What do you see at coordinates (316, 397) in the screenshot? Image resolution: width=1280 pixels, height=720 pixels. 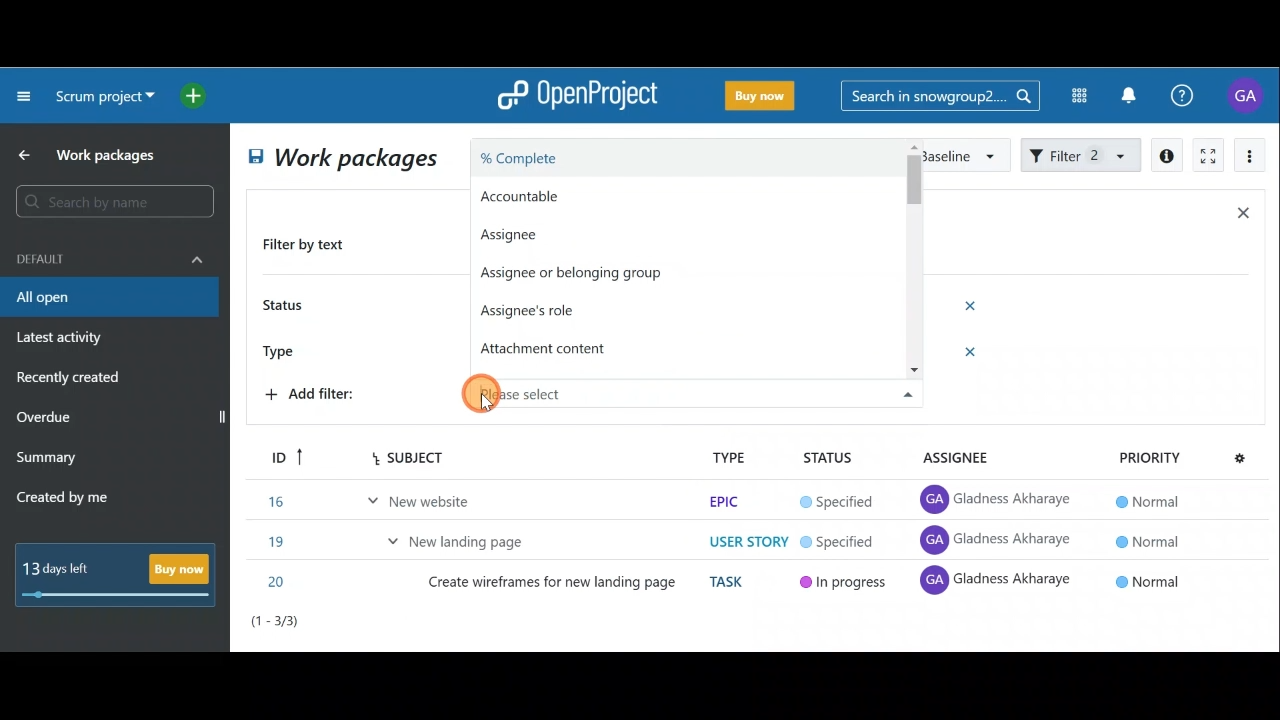 I see `Add Filter` at bounding box center [316, 397].